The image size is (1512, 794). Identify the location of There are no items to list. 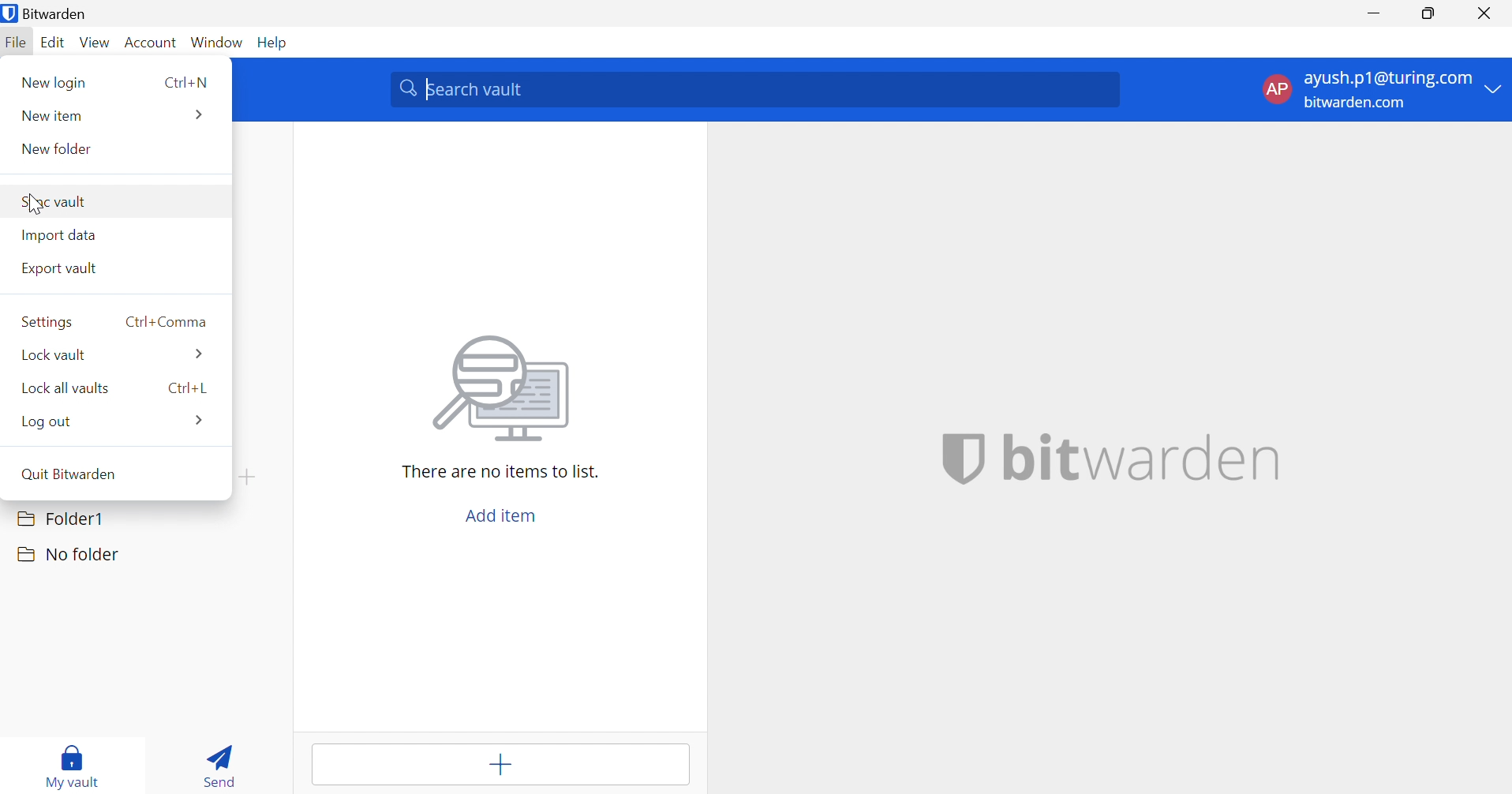
(503, 472).